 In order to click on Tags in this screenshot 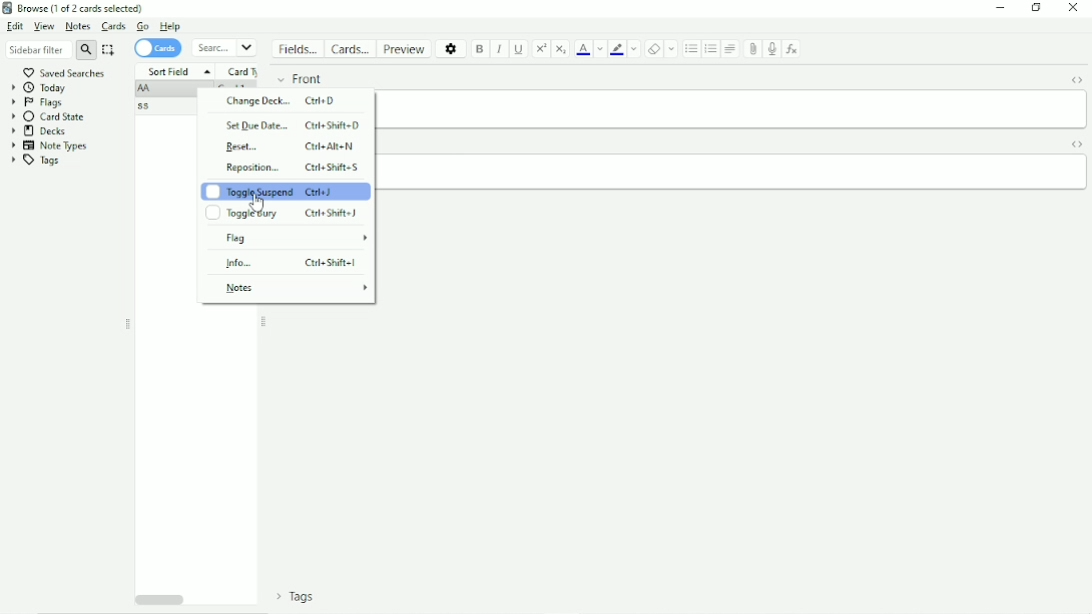, I will do `click(302, 597)`.